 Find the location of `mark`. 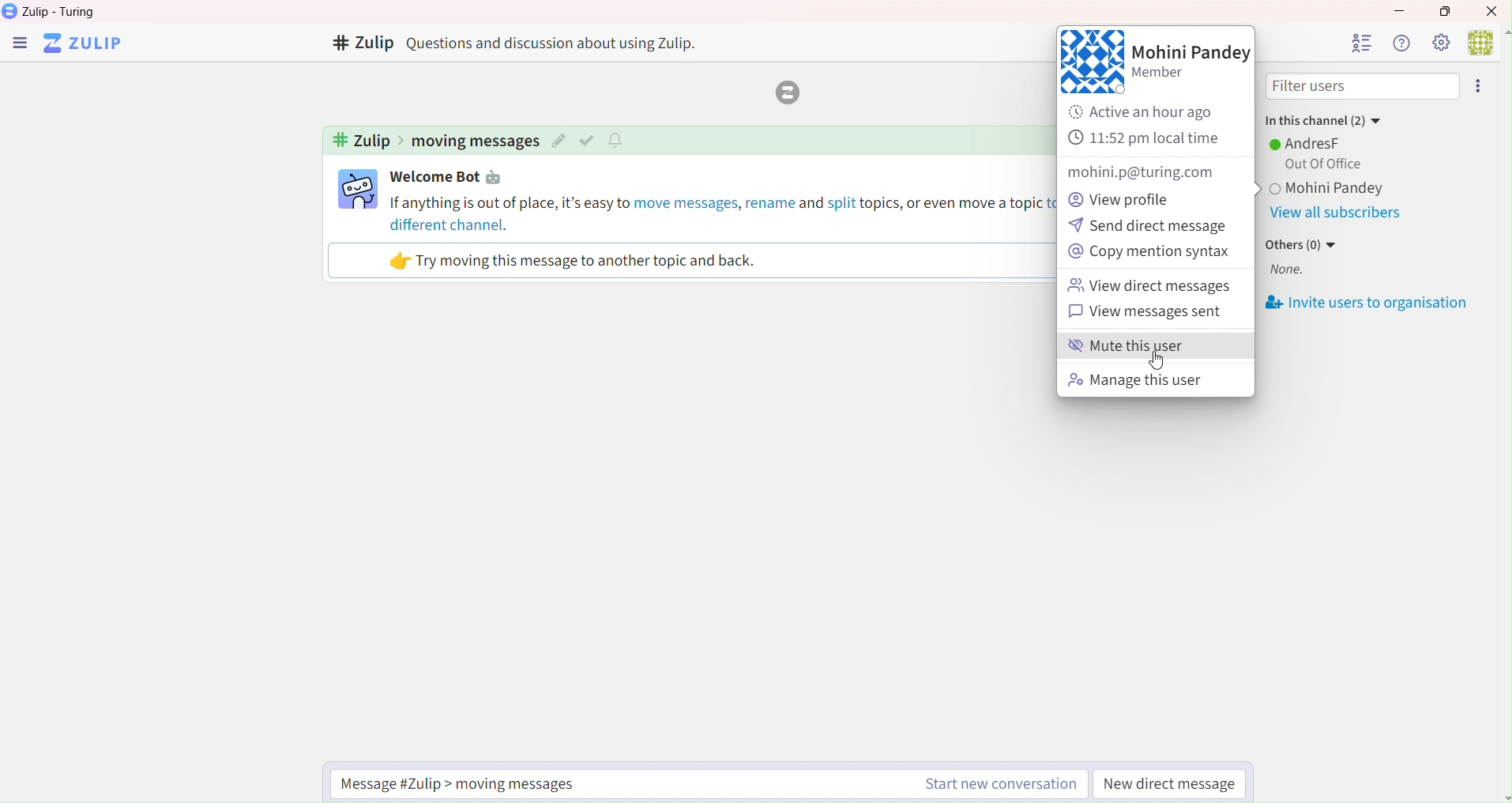

mark is located at coordinates (589, 140).